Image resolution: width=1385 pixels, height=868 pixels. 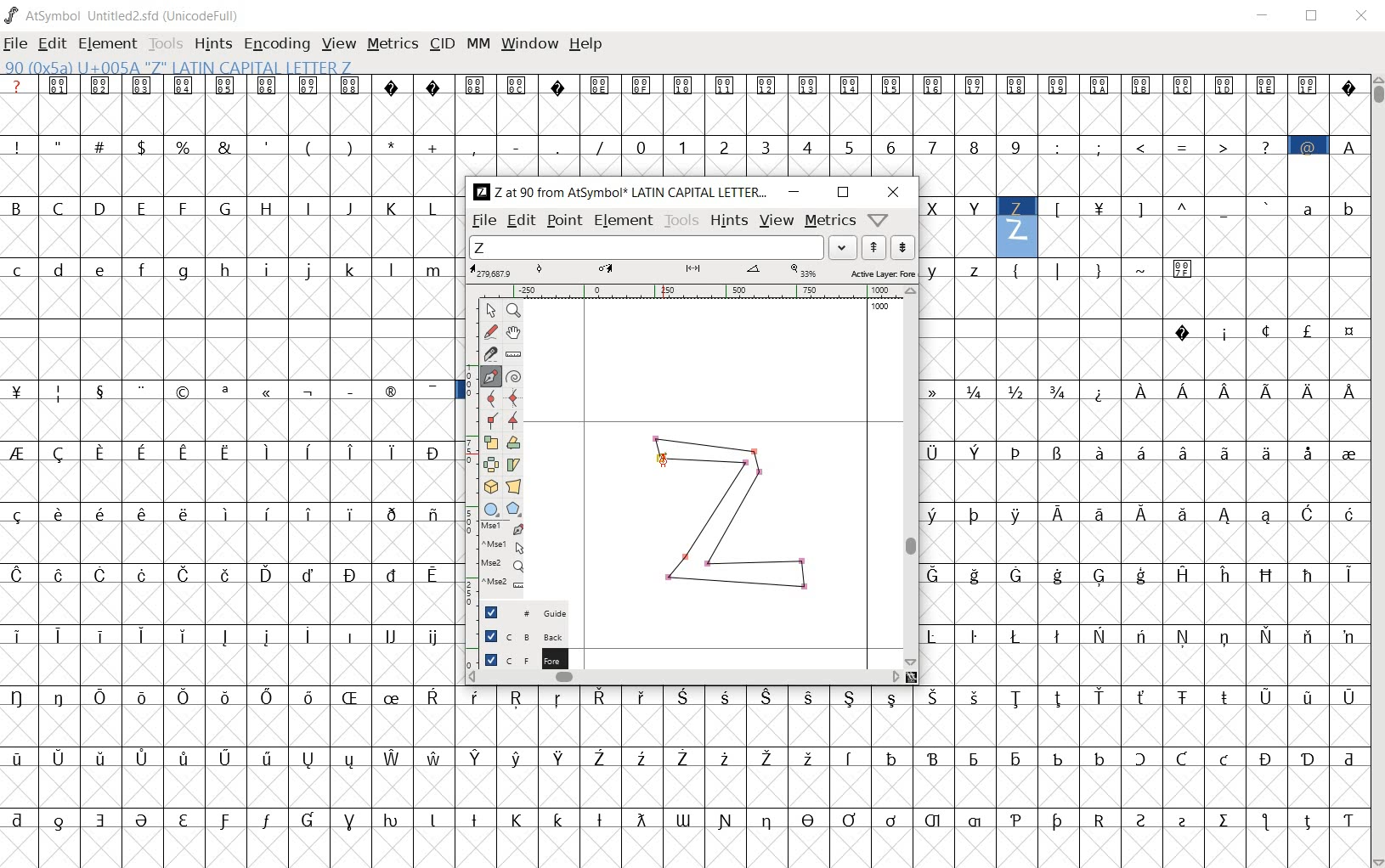 I want to click on Background, so click(x=517, y=635).